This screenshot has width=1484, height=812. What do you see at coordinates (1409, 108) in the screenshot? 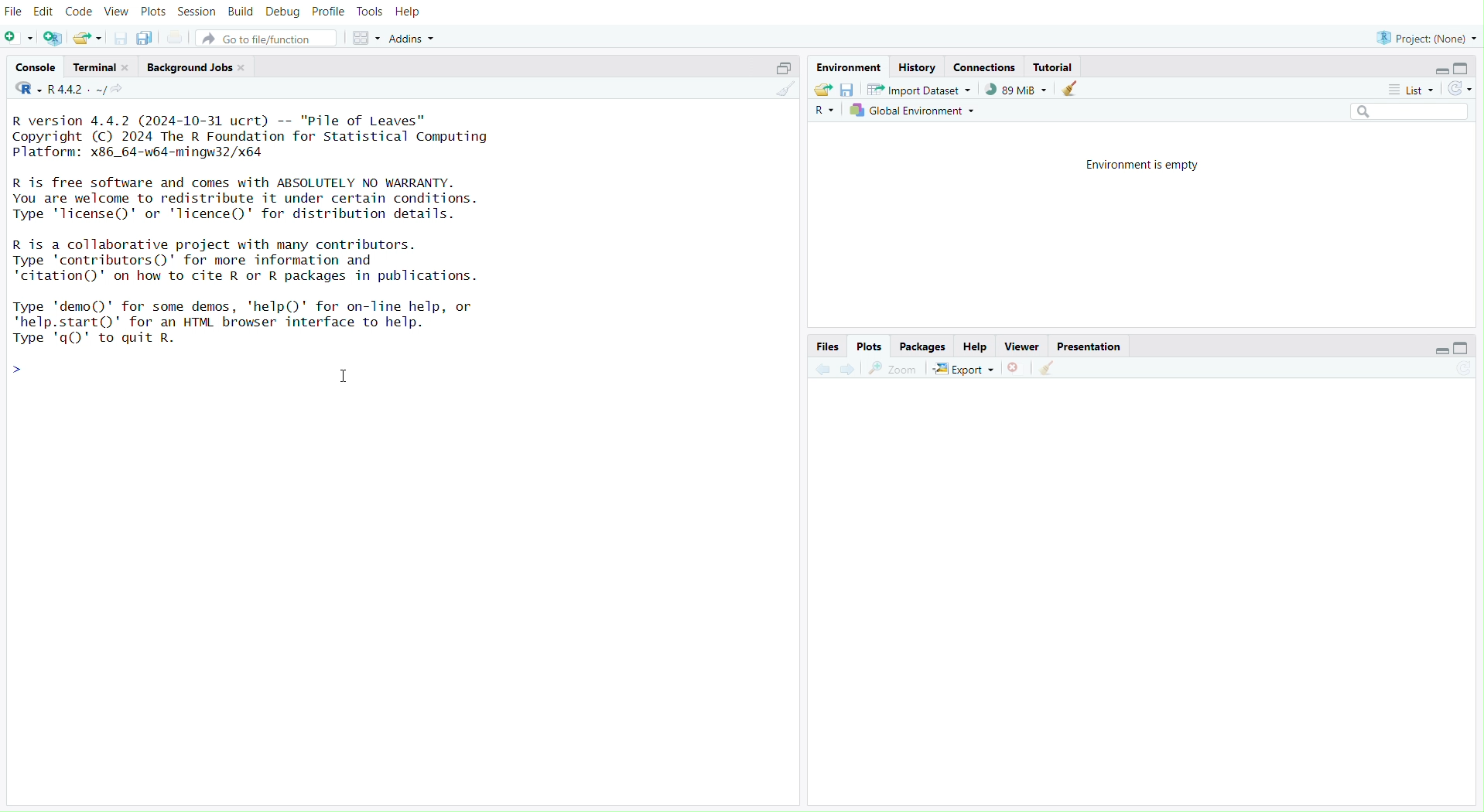
I see `Search bar` at bounding box center [1409, 108].